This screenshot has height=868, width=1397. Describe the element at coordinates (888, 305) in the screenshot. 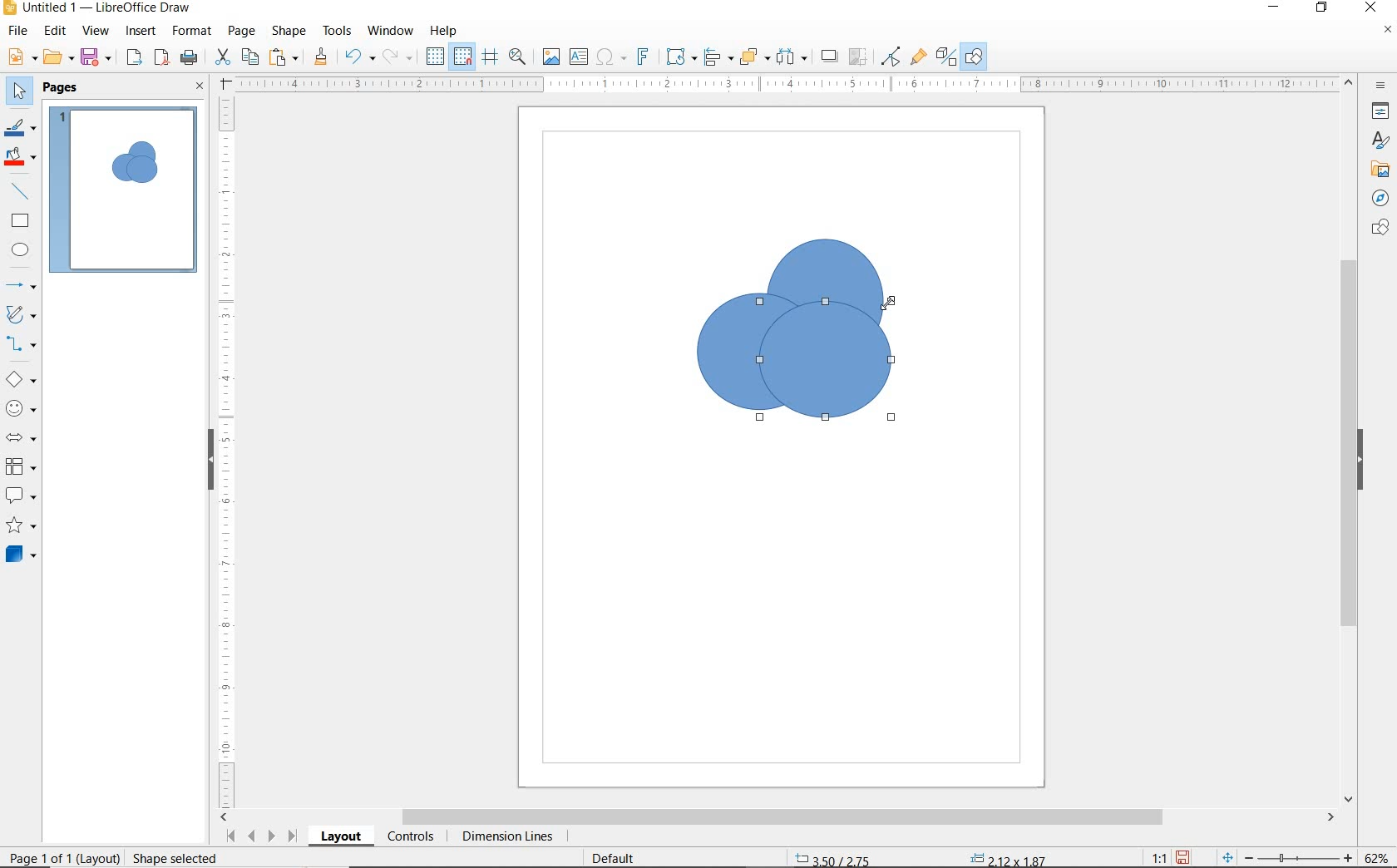

I see `ELLIPSE TOO AT DRAG` at that location.